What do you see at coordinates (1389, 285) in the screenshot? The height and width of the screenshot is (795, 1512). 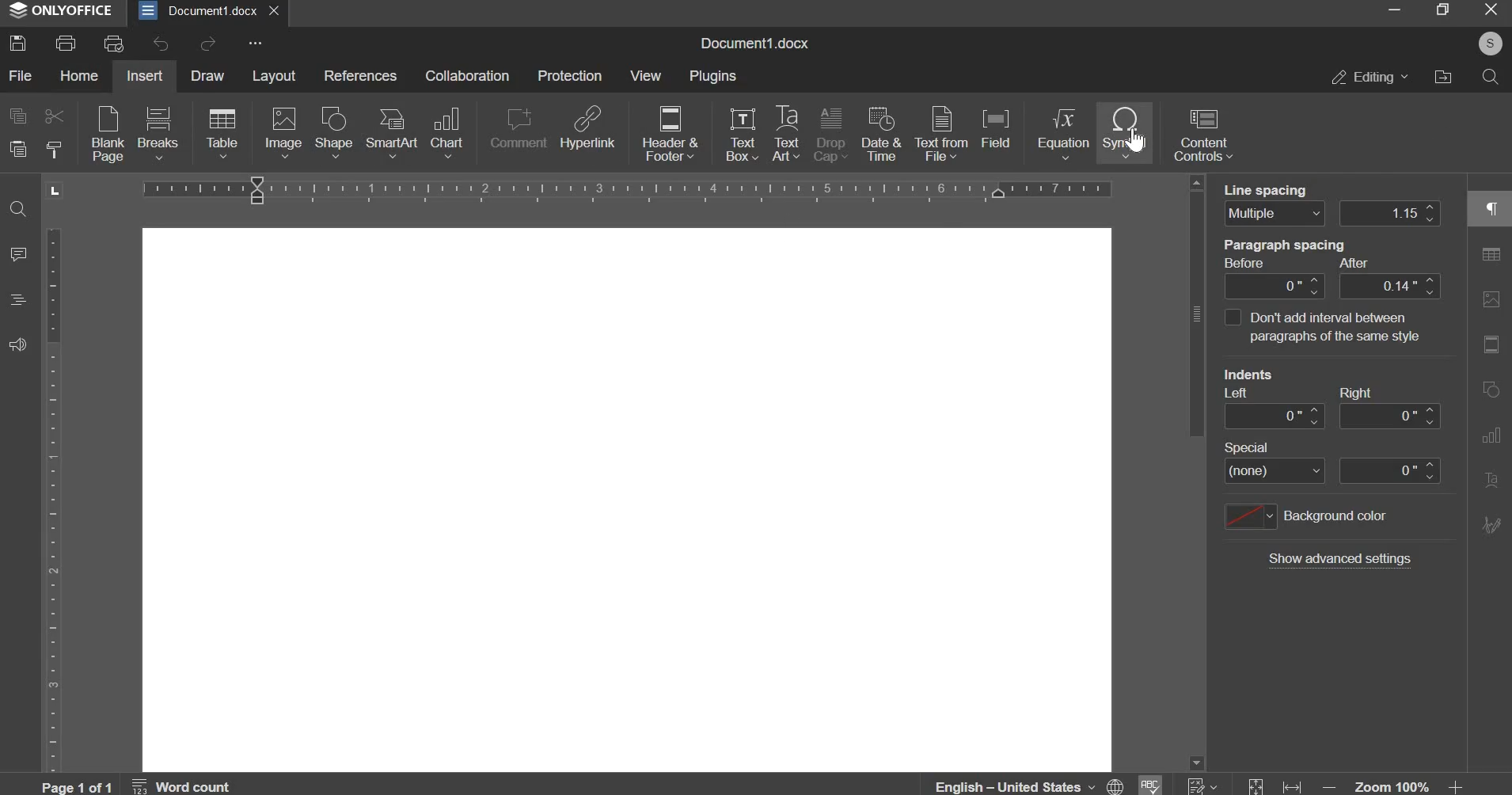 I see `paragraph spacing` at bounding box center [1389, 285].